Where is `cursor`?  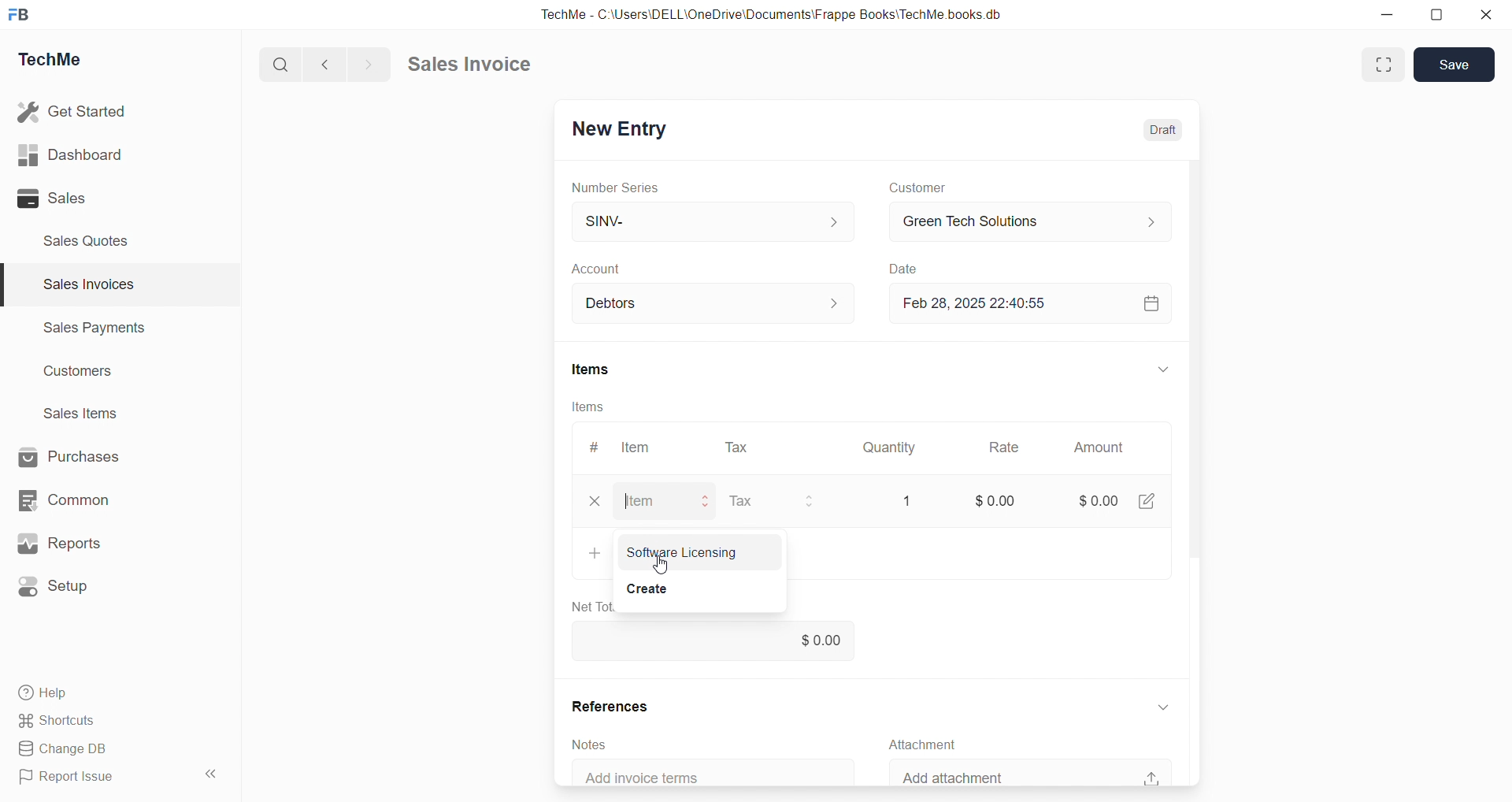
cursor is located at coordinates (660, 564).